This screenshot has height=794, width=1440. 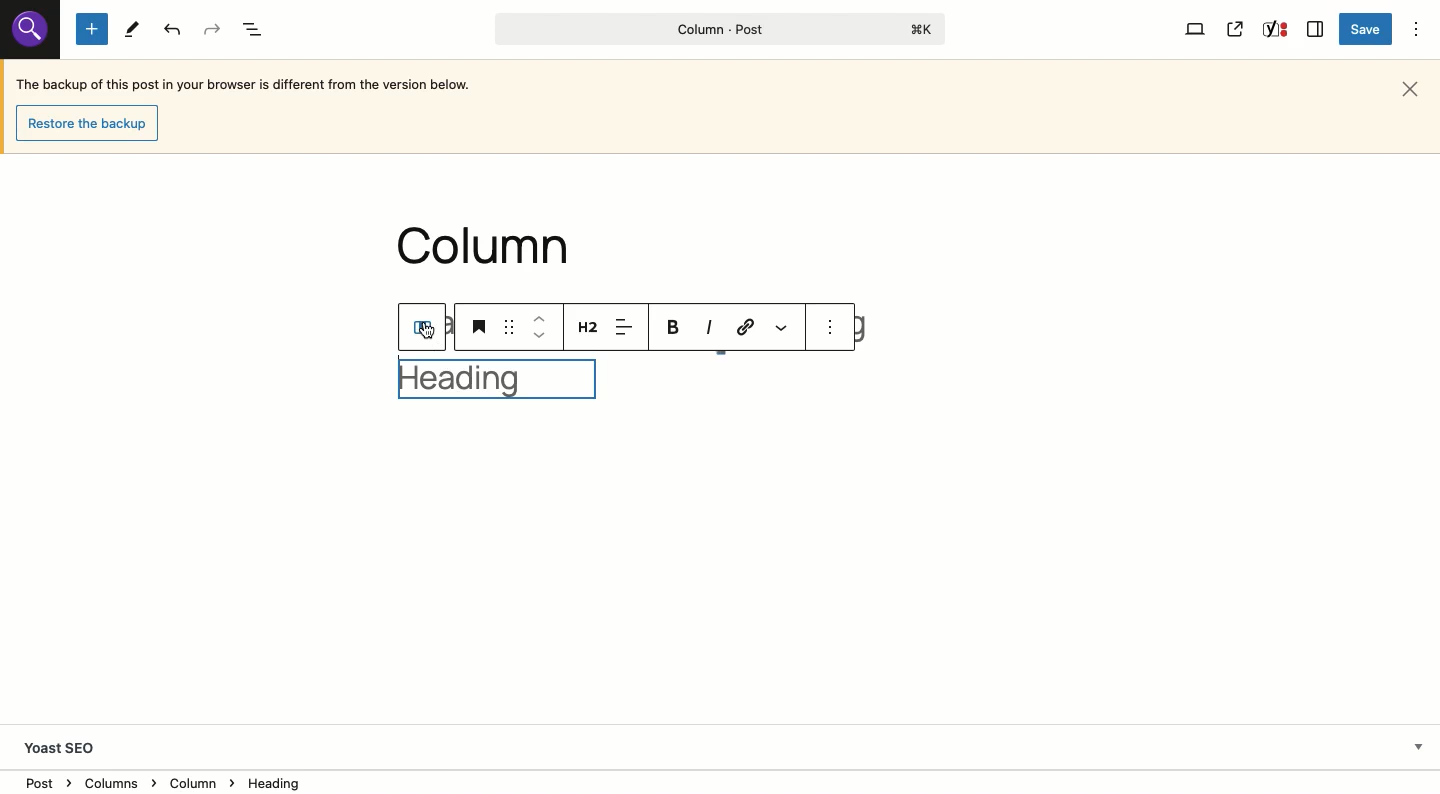 I want to click on Align, so click(x=625, y=329).